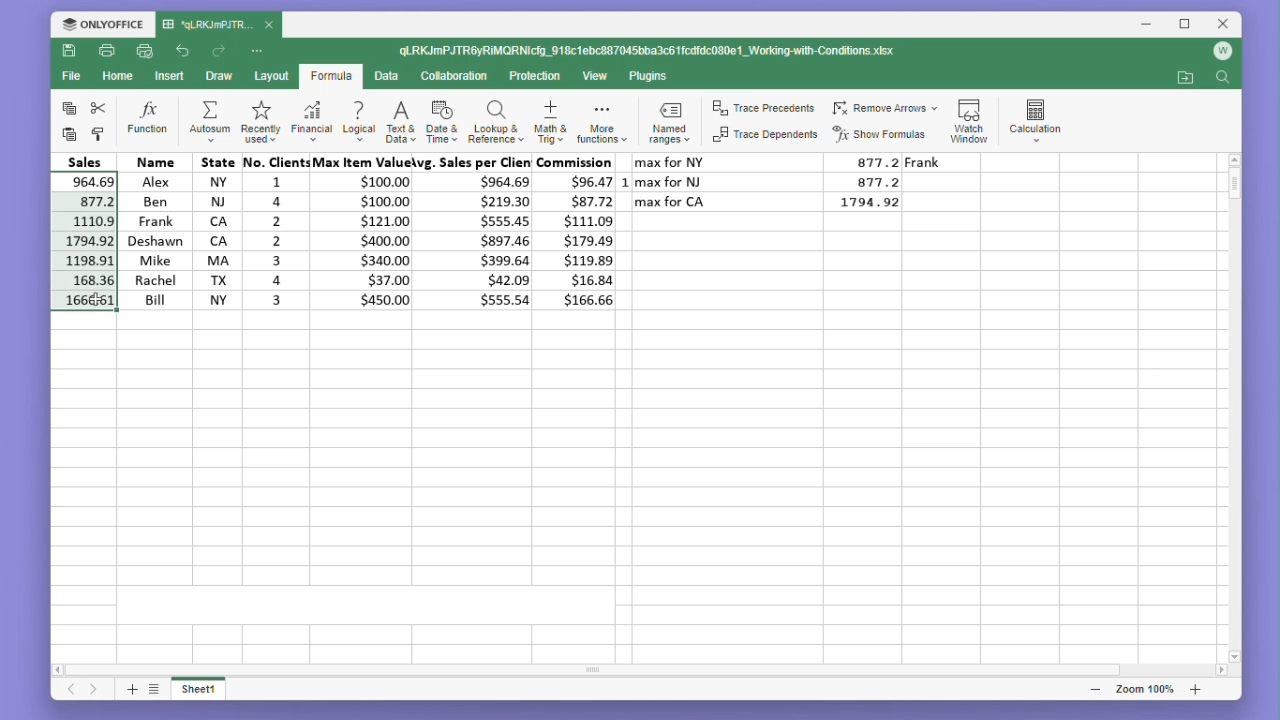 Image resolution: width=1280 pixels, height=720 pixels. Describe the element at coordinates (441, 119) in the screenshot. I see `Date and time` at that location.